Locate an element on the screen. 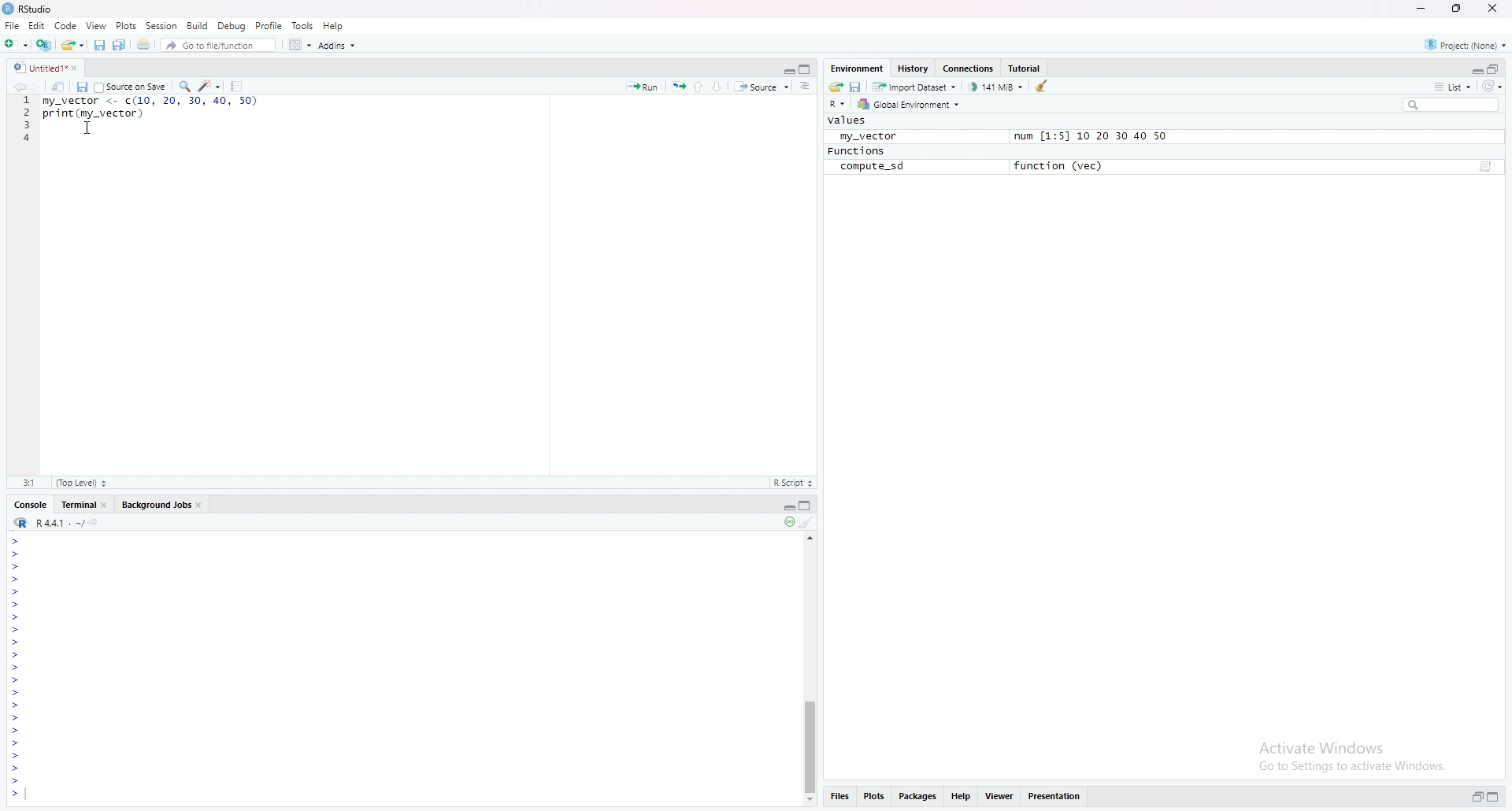  Prompt cursor is located at coordinates (18, 719).